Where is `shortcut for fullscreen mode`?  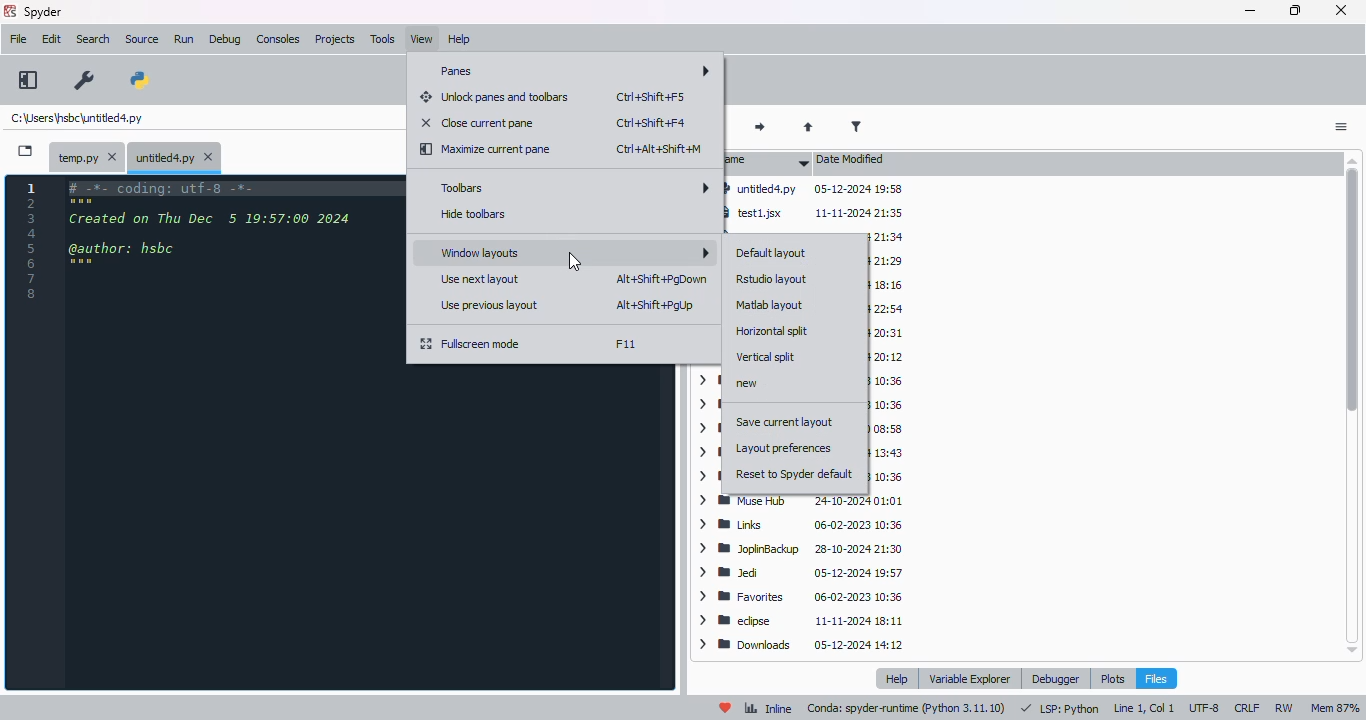 shortcut for fullscreen mode is located at coordinates (625, 344).